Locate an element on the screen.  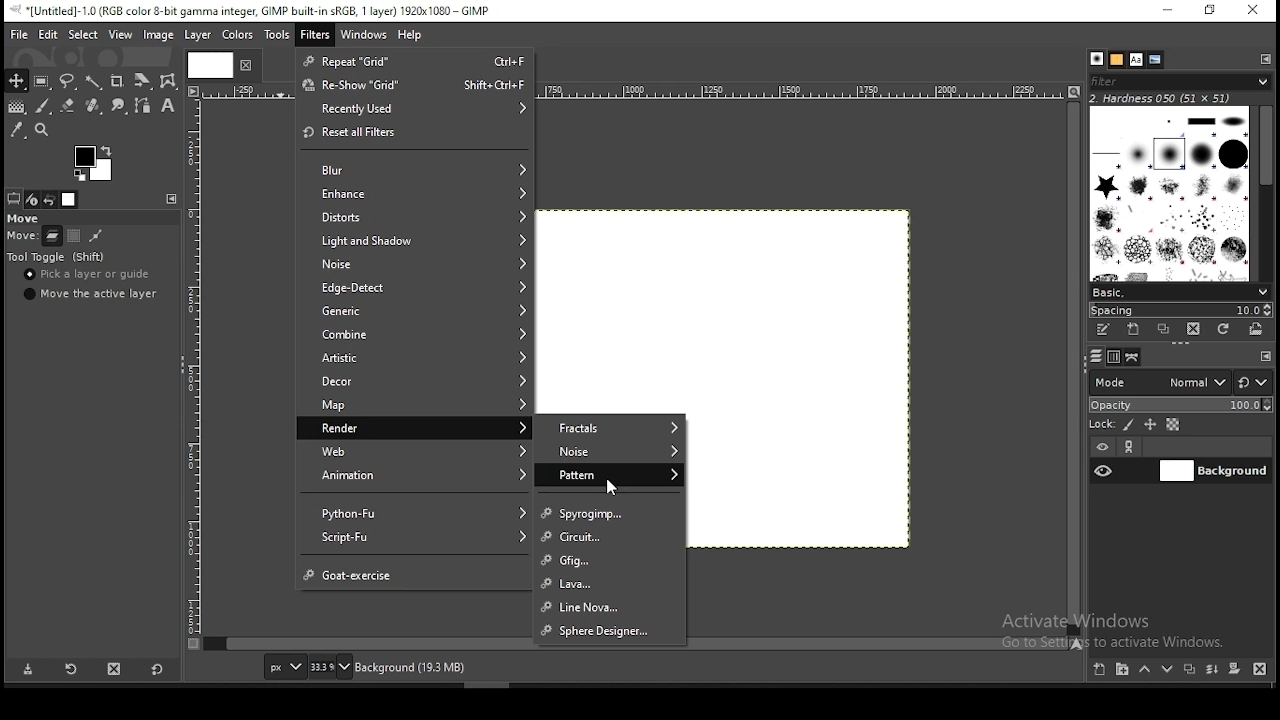
opacity is located at coordinates (1183, 405).